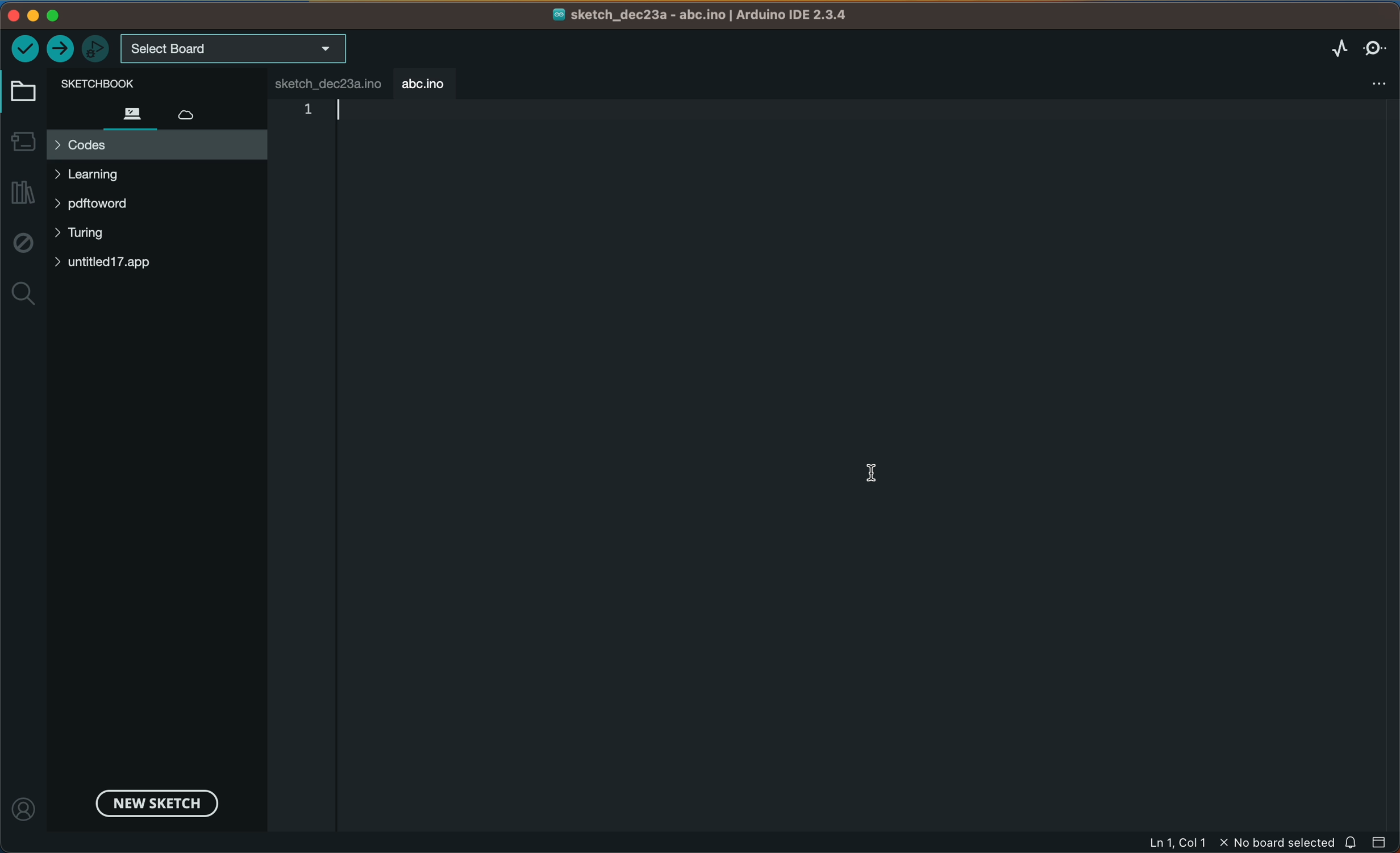 The image size is (1400, 853). What do you see at coordinates (1376, 47) in the screenshot?
I see `serial monitor` at bounding box center [1376, 47].